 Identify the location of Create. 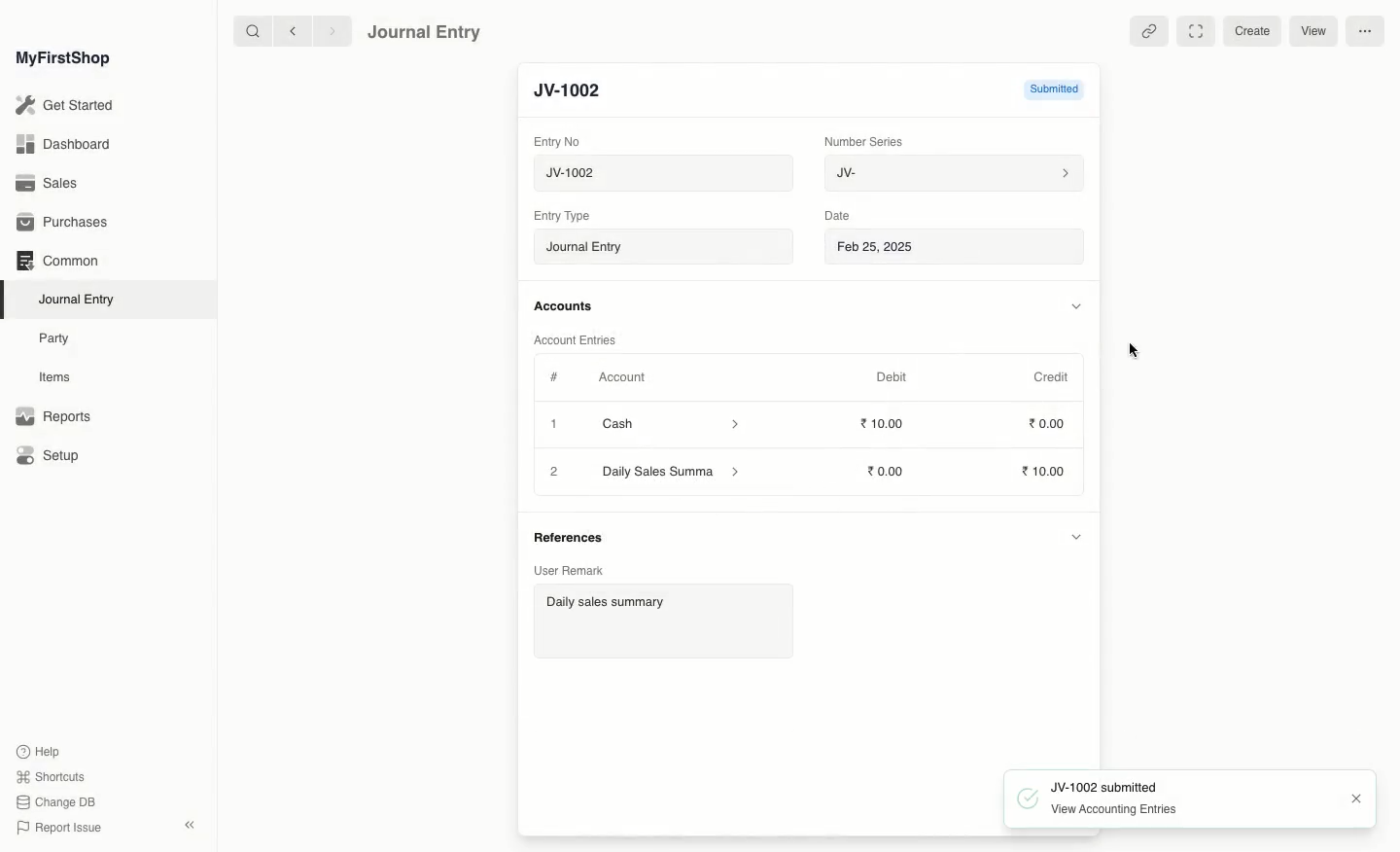
(1256, 30).